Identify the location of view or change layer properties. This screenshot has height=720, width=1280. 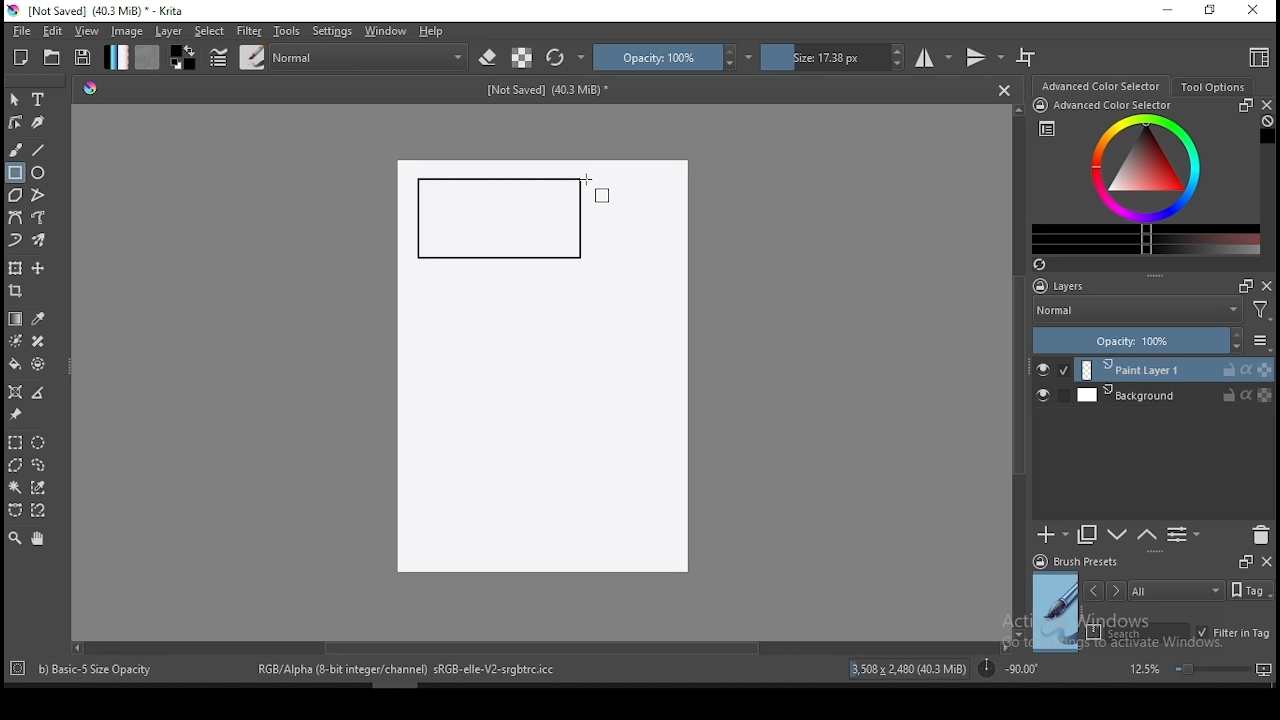
(1183, 534).